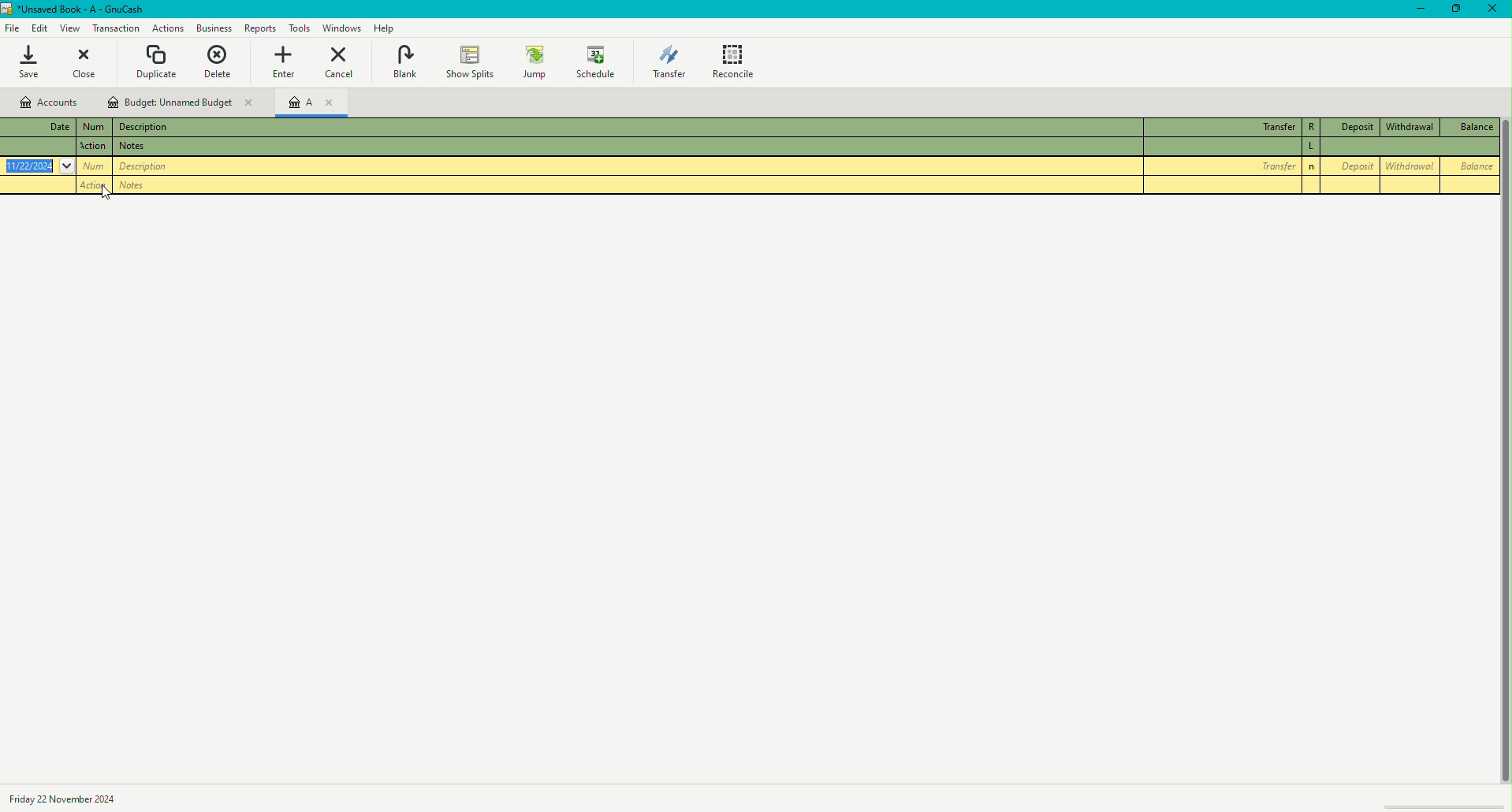  Describe the element at coordinates (213, 29) in the screenshot. I see `Business` at that location.